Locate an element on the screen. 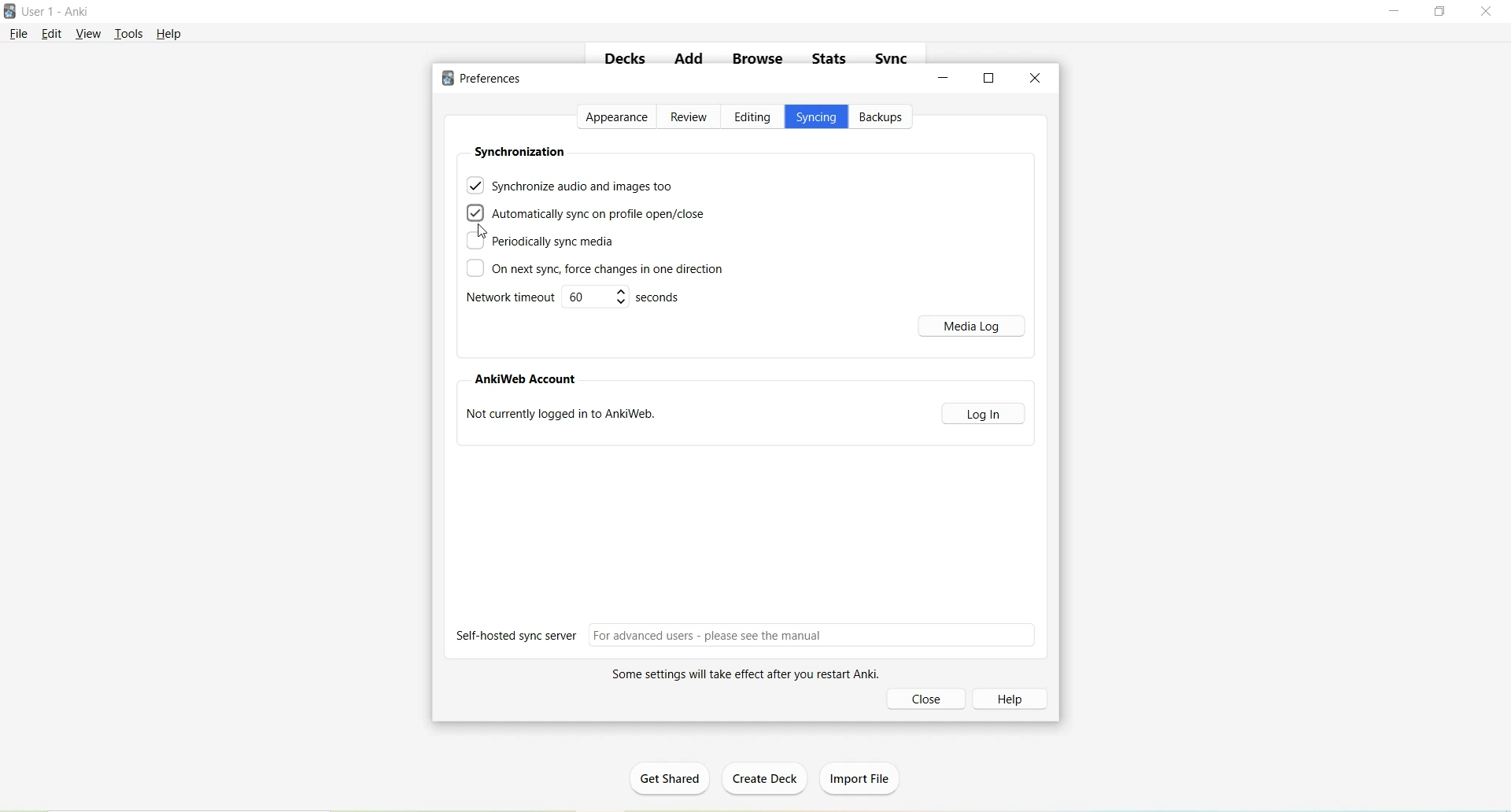 The width and height of the screenshot is (1511, 812). On next sync, force changes in one direction is located at coordinates (594, 270).